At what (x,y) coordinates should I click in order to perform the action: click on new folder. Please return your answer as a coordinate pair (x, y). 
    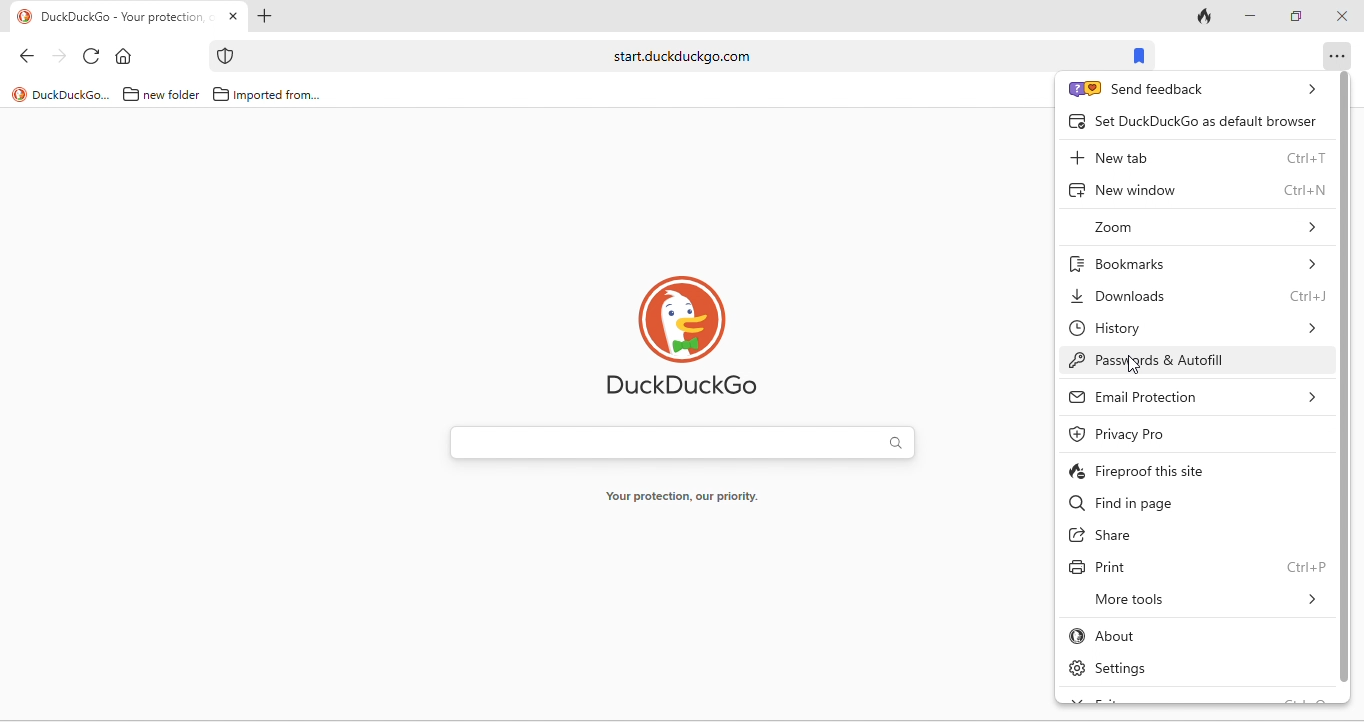
    Looking at the image, I should click on (173, 96).